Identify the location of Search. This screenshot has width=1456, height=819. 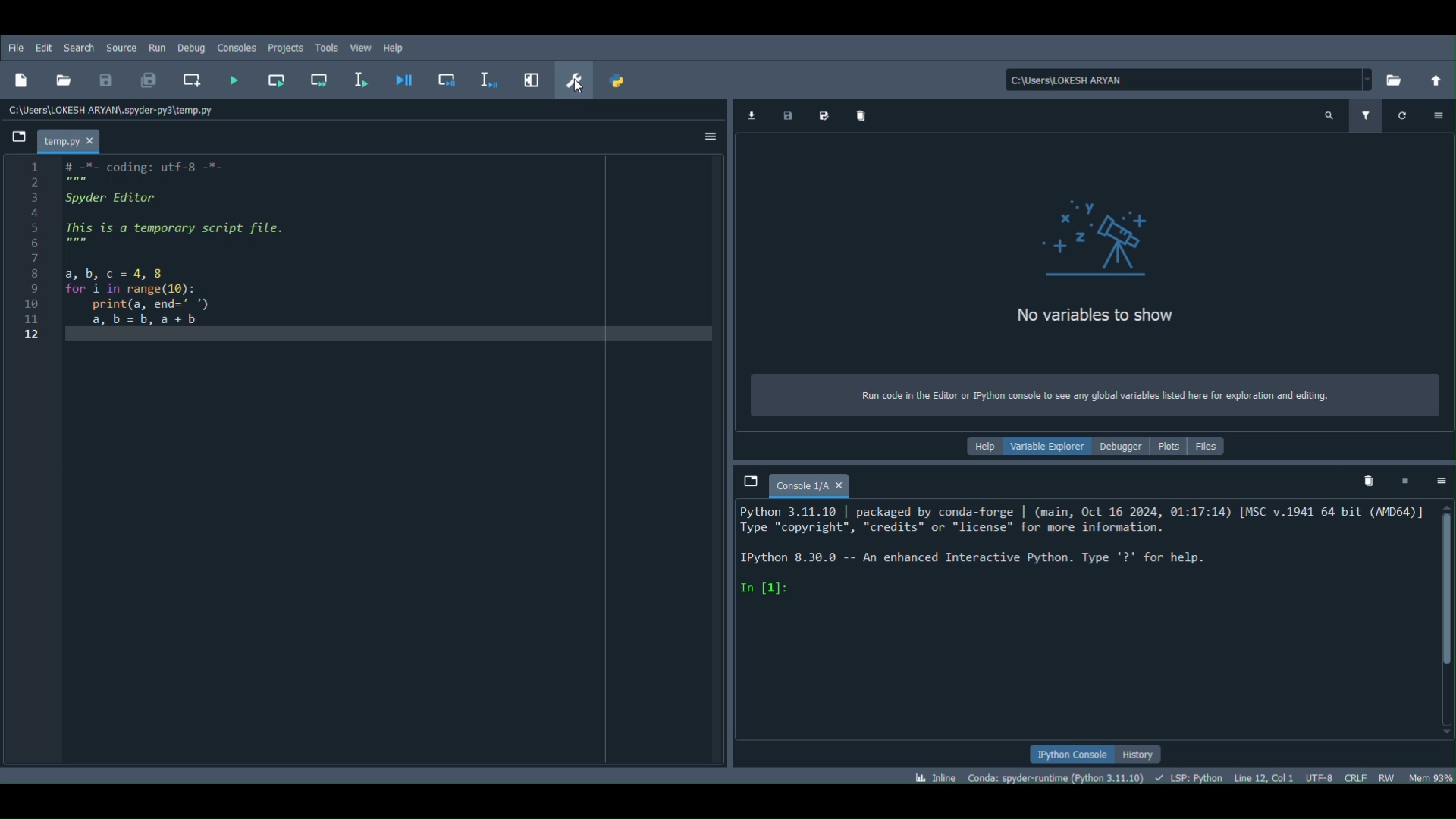
(78, 47).